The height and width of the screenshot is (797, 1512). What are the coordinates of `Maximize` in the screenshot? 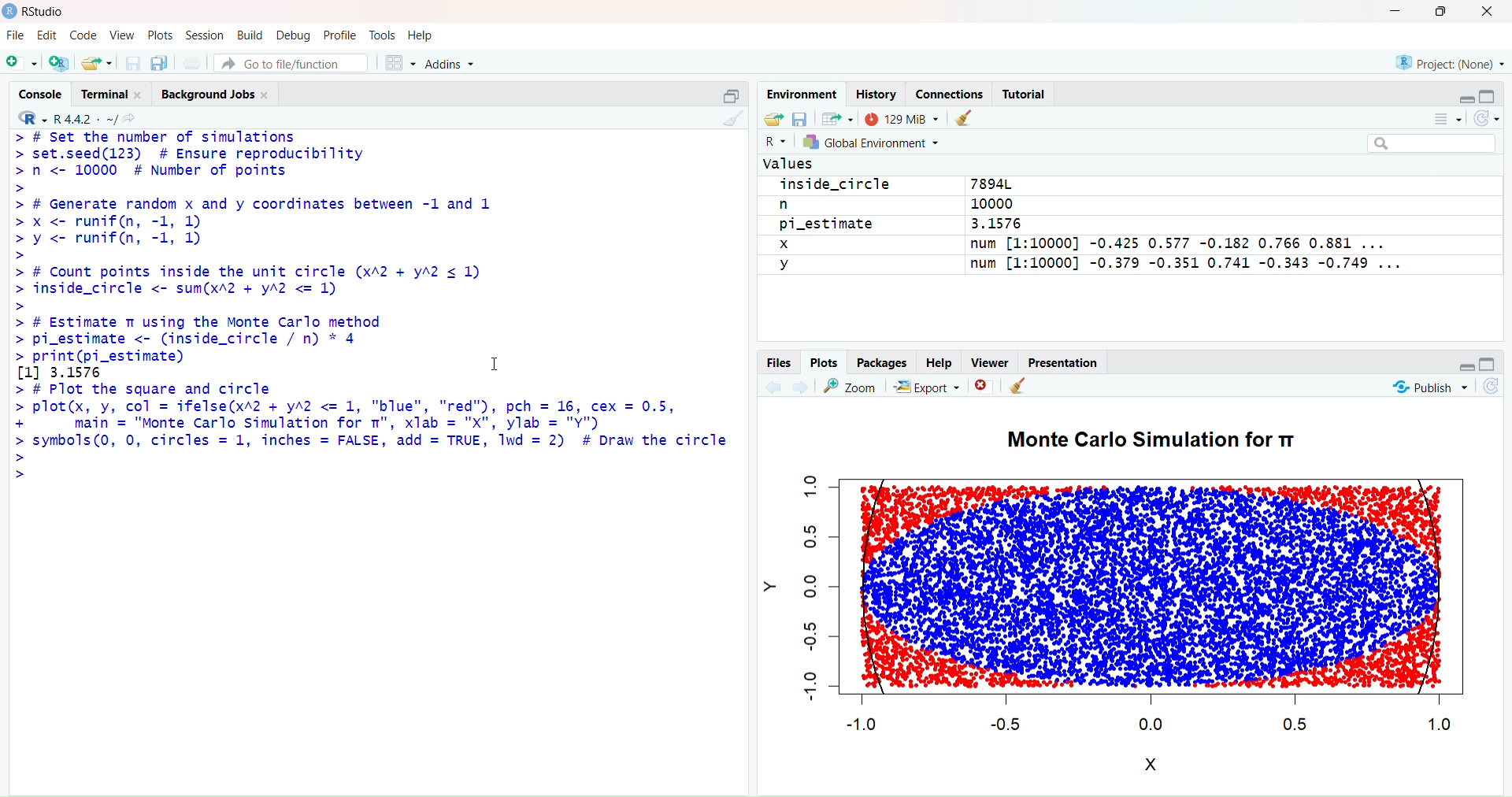 It's located at (1443, 14).